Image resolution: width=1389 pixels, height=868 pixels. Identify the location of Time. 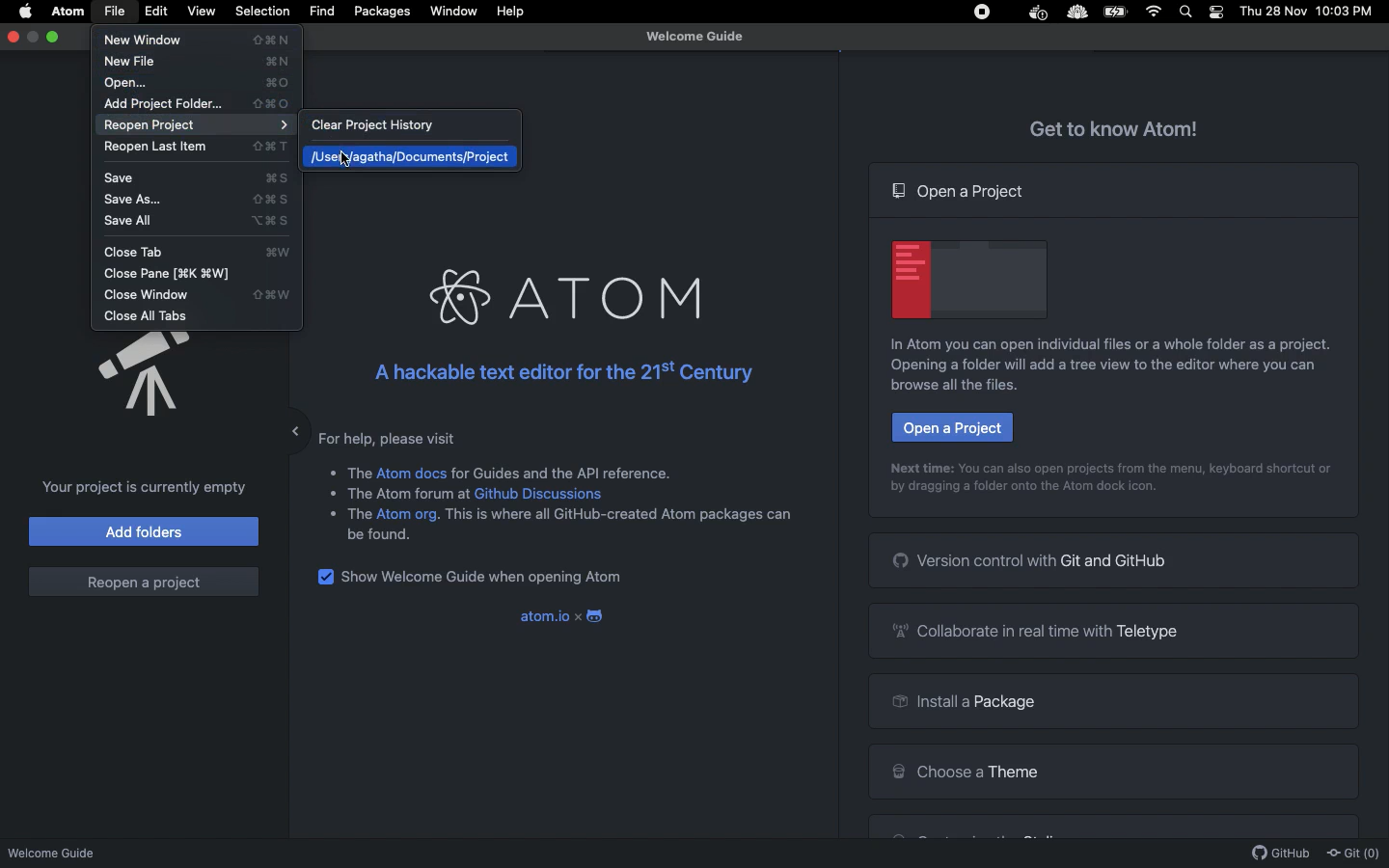
(1348, 13).